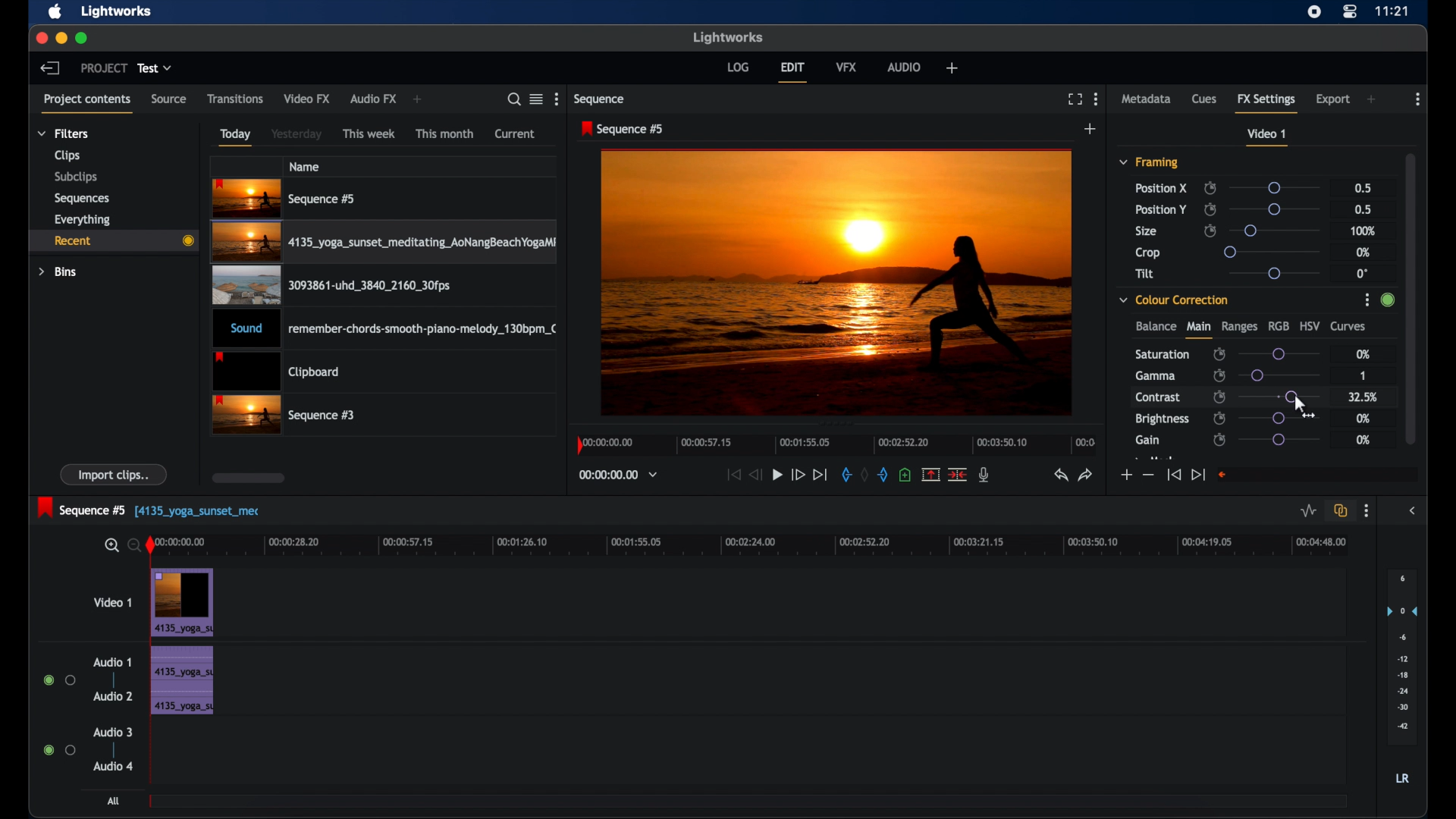 This screenshot has width=1456, height=819. Describe the element at coordinates (249, 478) in the screenshot. I see `scroll box` at that location.